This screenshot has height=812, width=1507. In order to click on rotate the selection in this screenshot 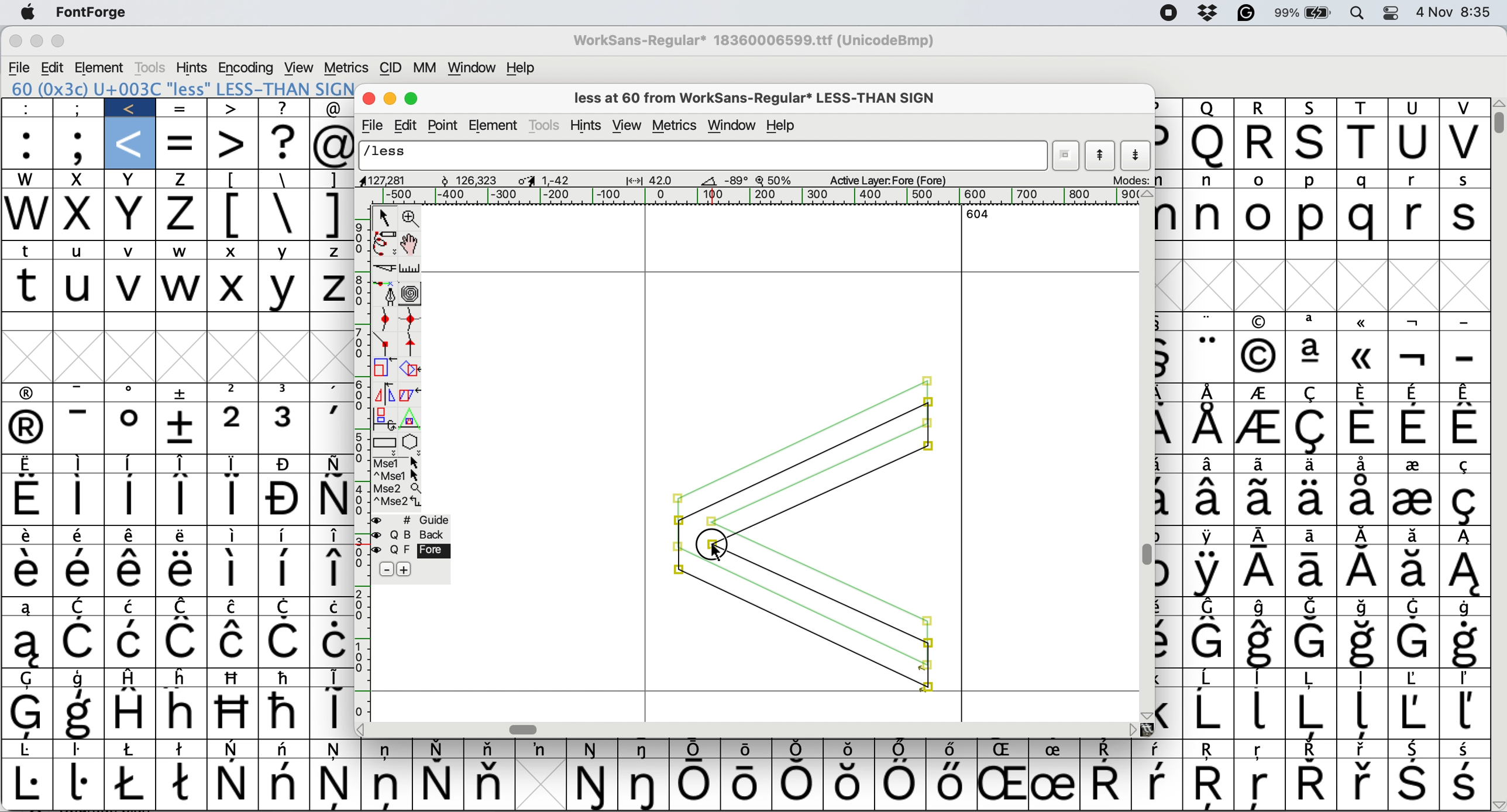, I will do `click(412, 370)`.